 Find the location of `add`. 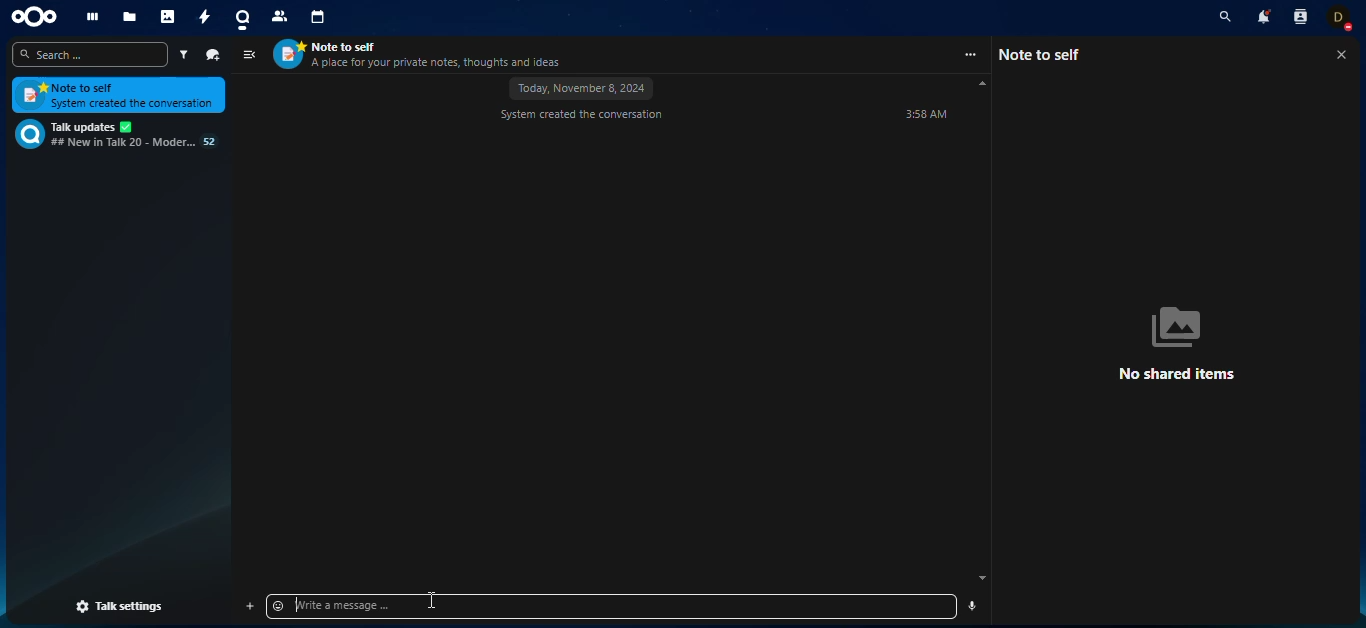

add is located at coordinates (250, 606).